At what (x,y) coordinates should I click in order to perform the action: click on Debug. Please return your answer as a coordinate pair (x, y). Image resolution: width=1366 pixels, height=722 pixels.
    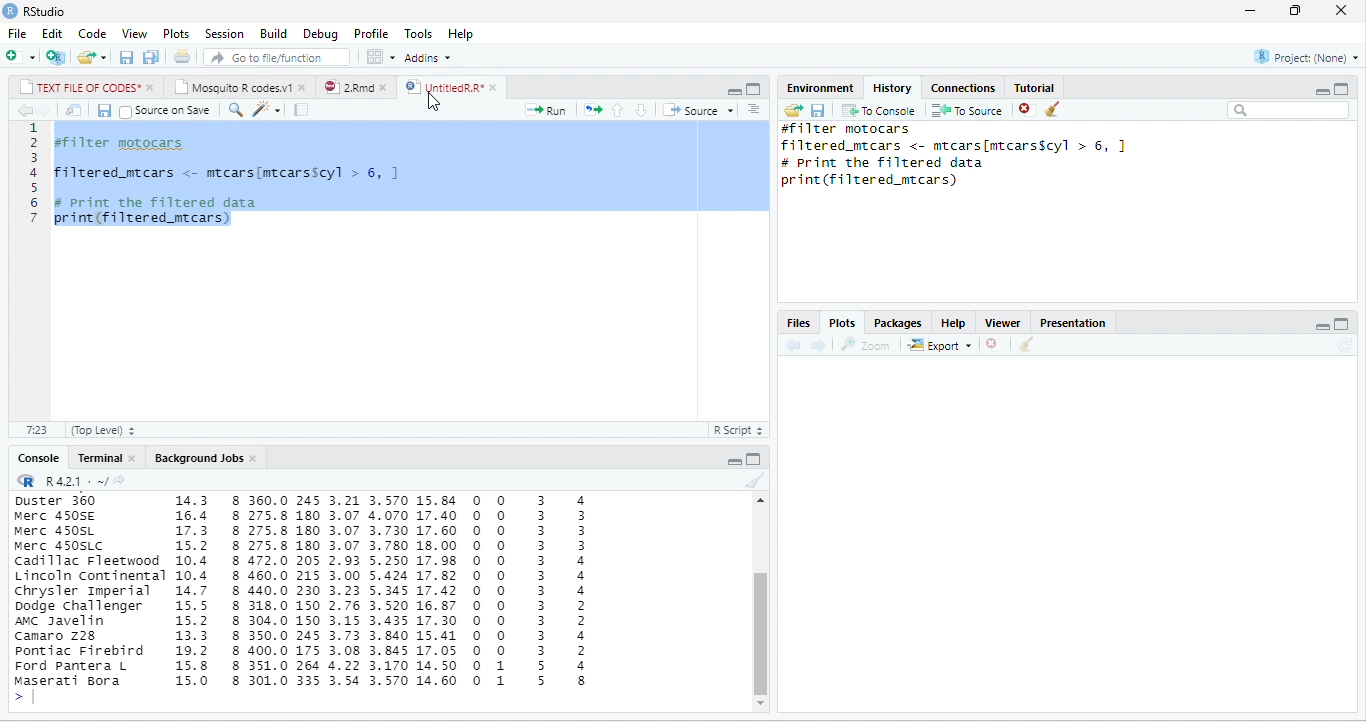
    Looking at the image, I should click on (320, 35).